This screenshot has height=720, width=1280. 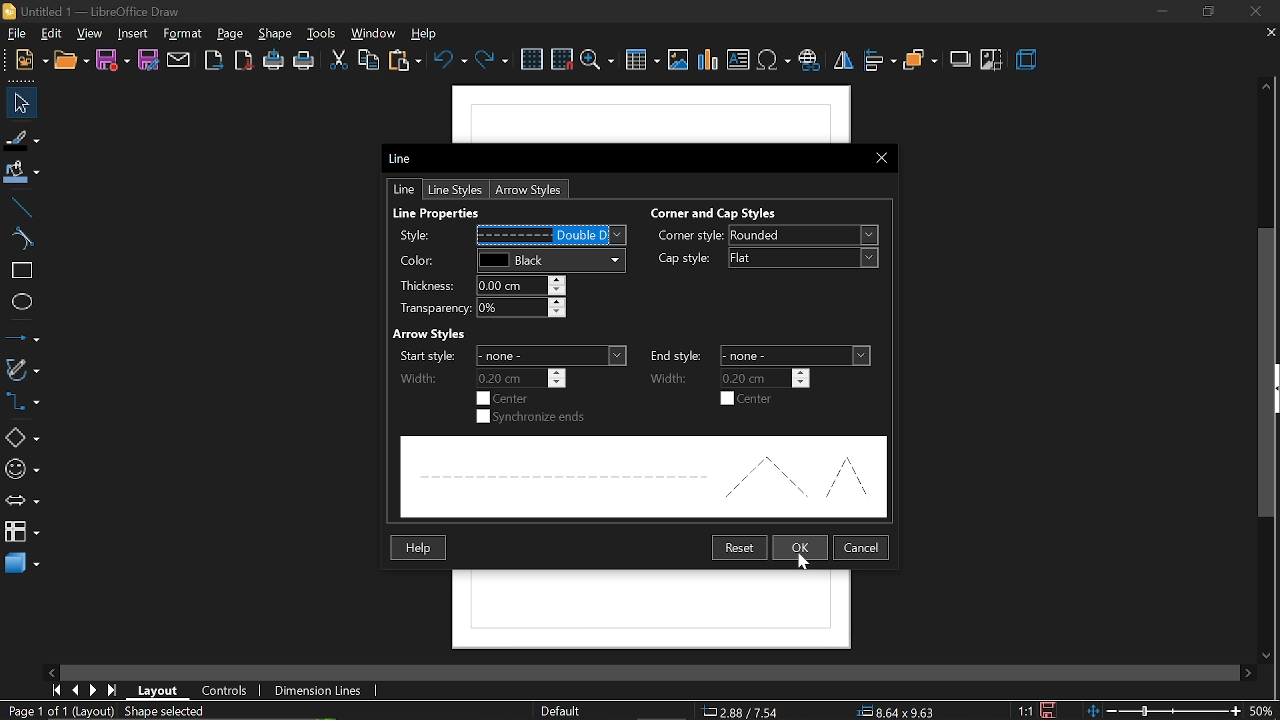 I want to click on 3d shapes, so click(x=21, y=563).